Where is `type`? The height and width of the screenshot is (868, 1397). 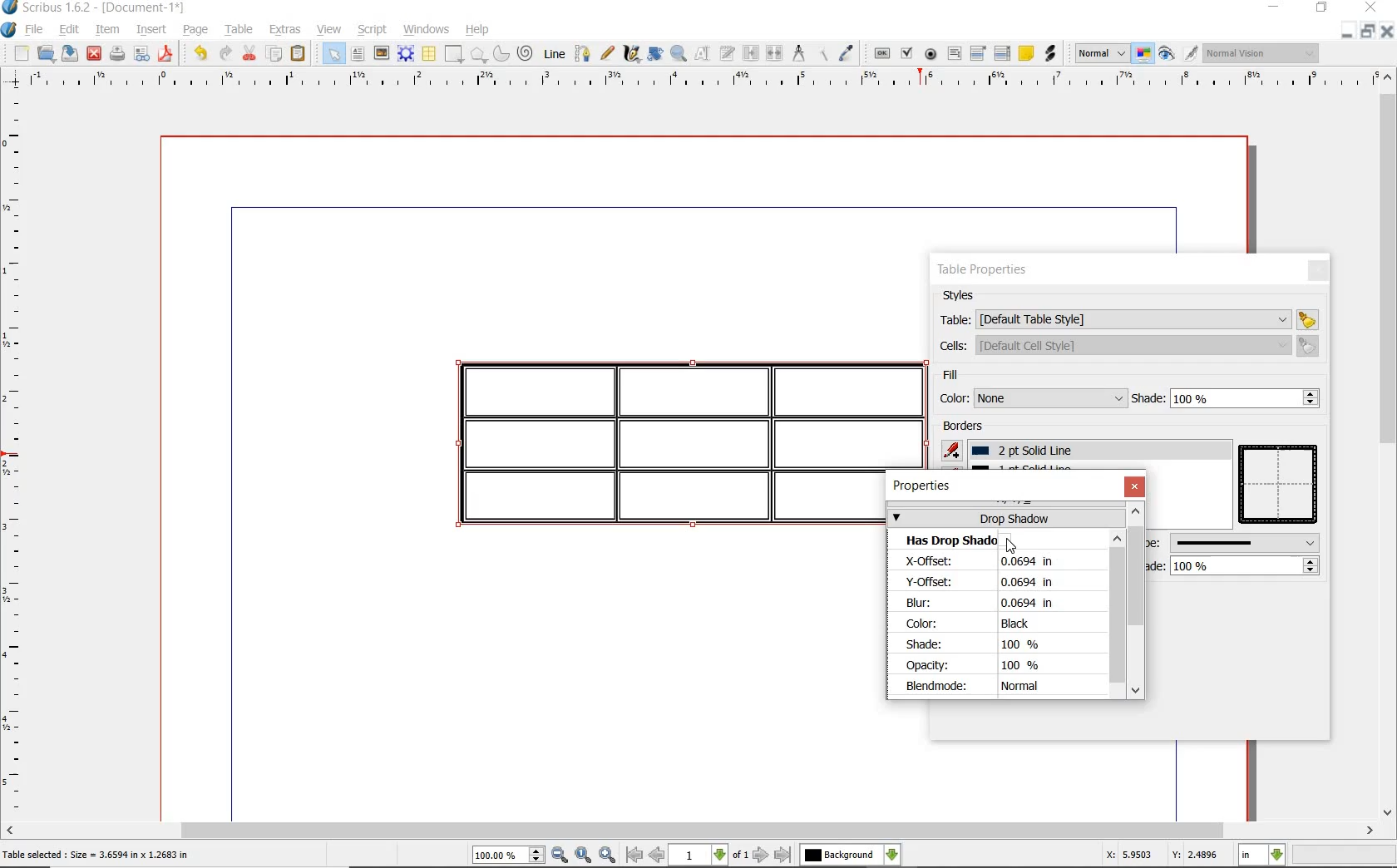
type is located at coordinates (1234, 542).